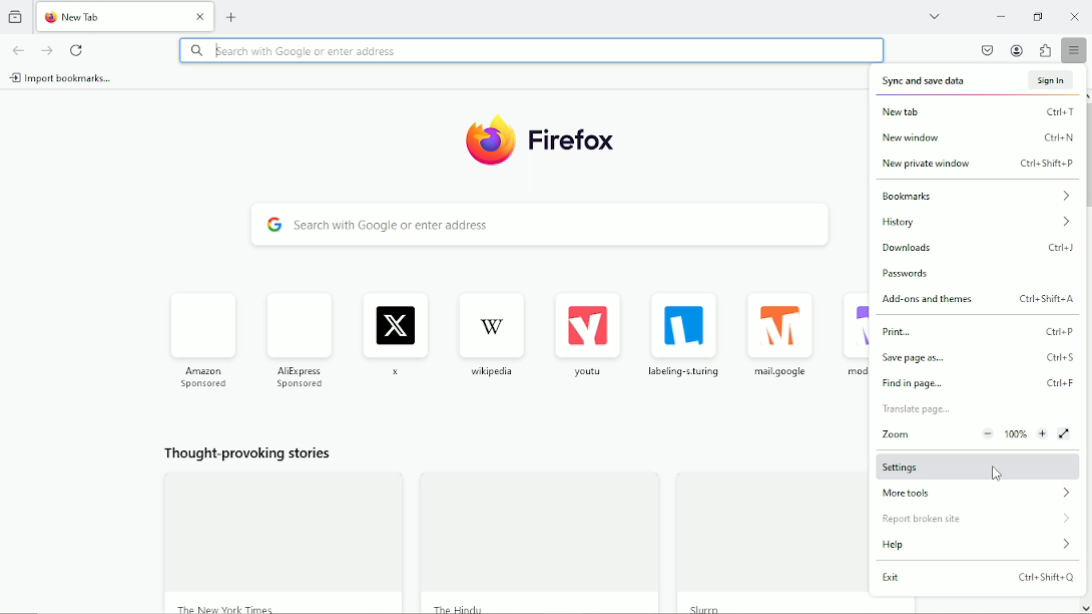  Describe the element at coordinates (980, 194) in the screenshot. I see `Bookmarks` at that location.